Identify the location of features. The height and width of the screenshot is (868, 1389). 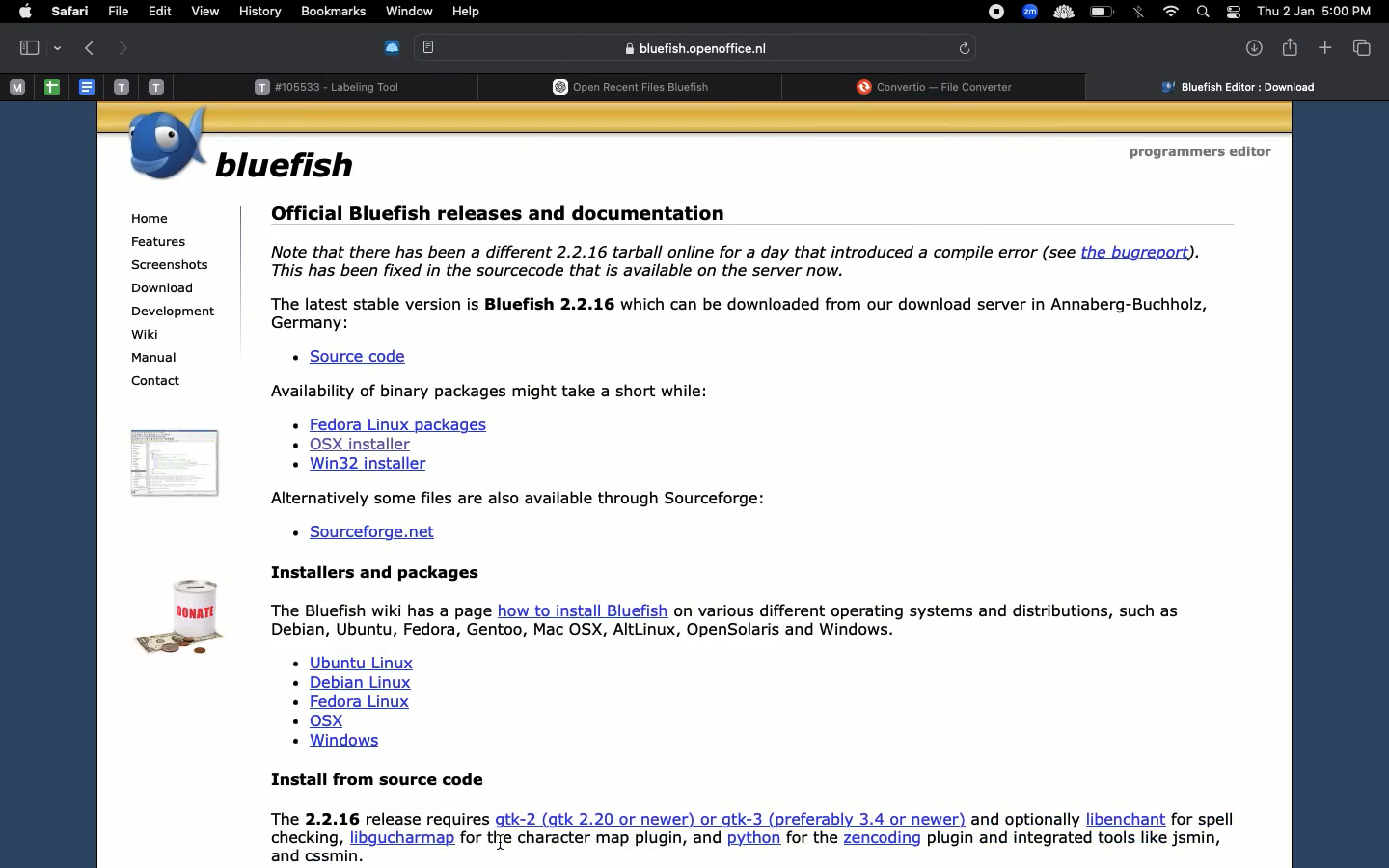
(160, 241).